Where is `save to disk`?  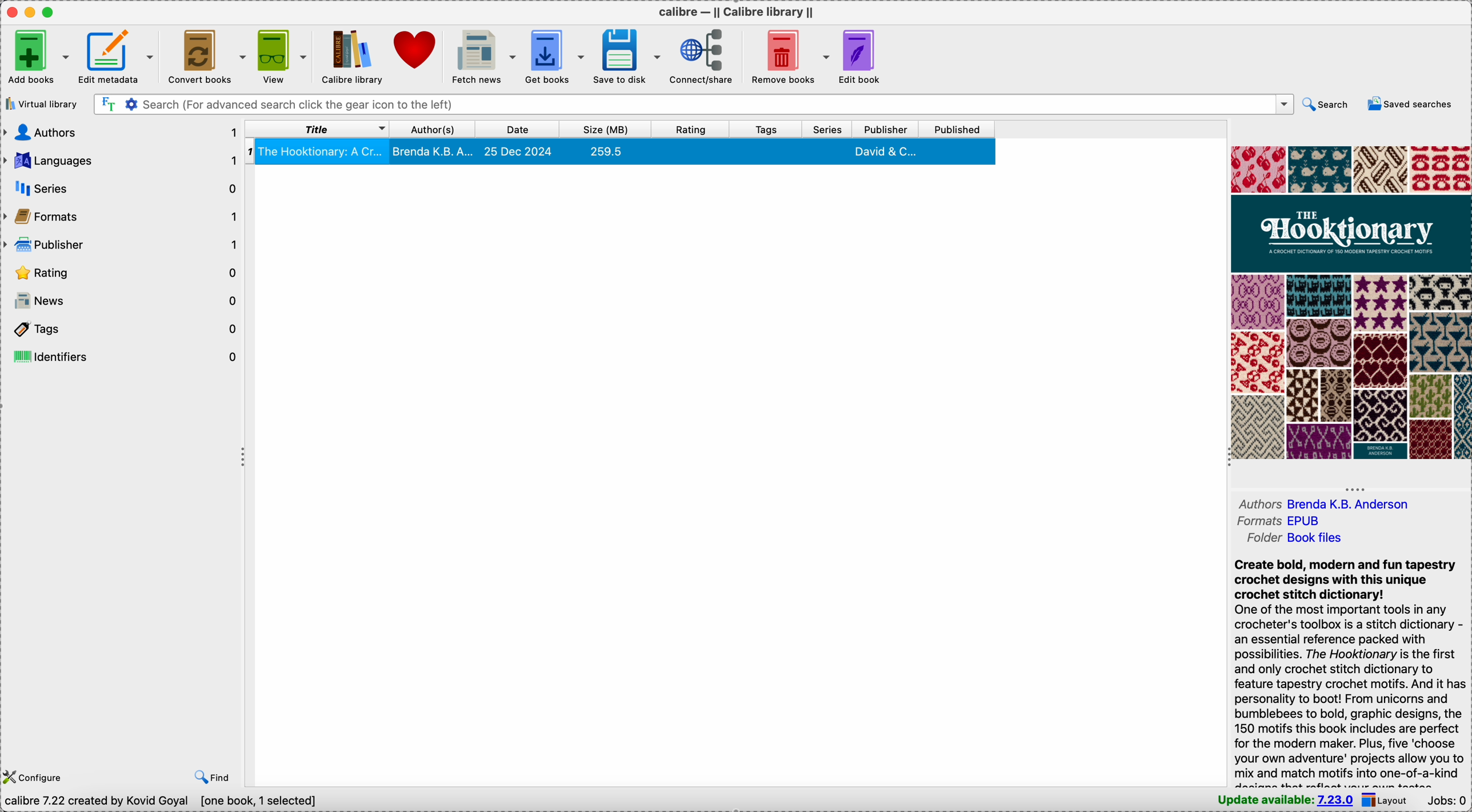
save to disk is located at coordinates (627, 55).